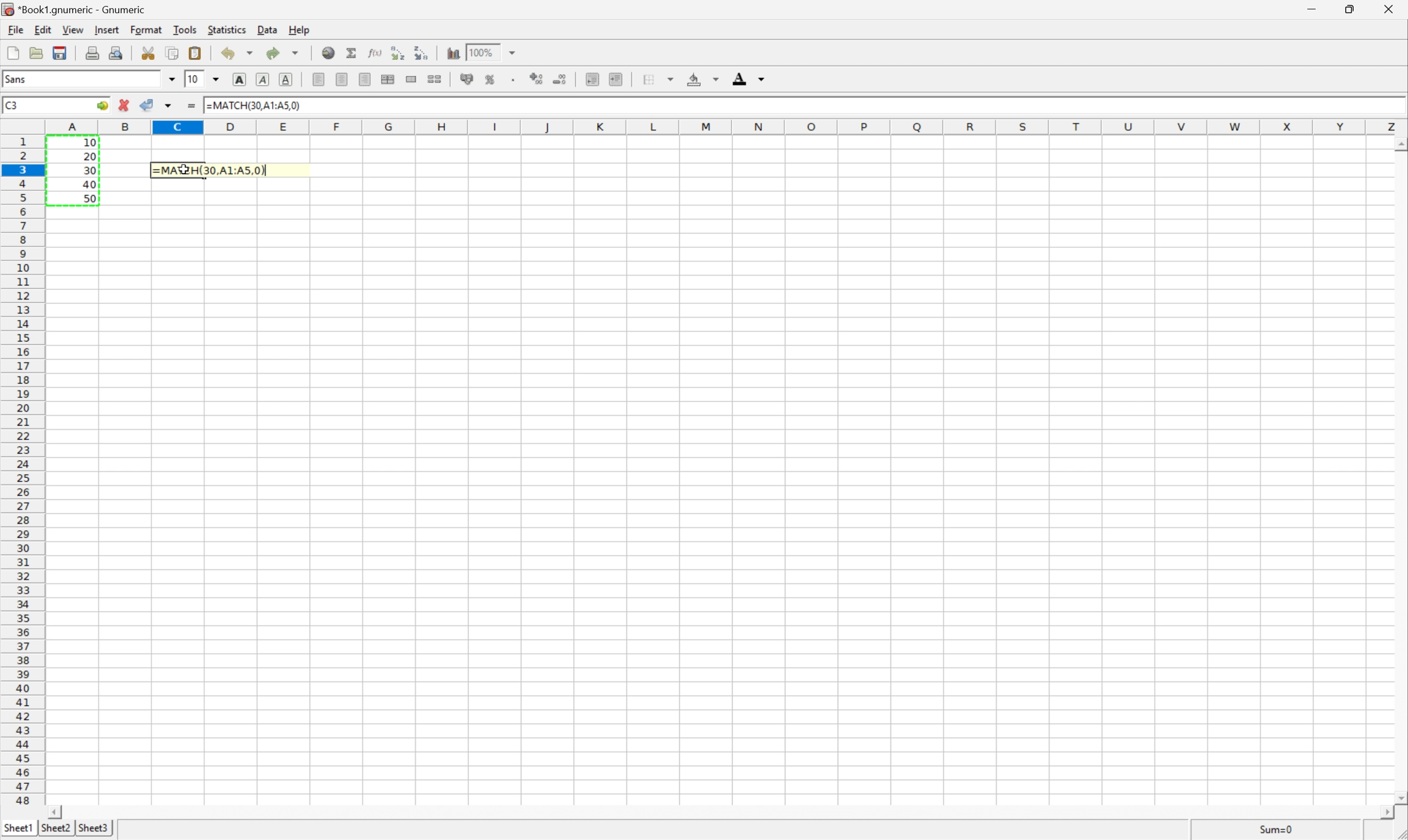 The width and height of the screenshot is (1408, 840). I want to click on Cut the selection, so click(147, 52).